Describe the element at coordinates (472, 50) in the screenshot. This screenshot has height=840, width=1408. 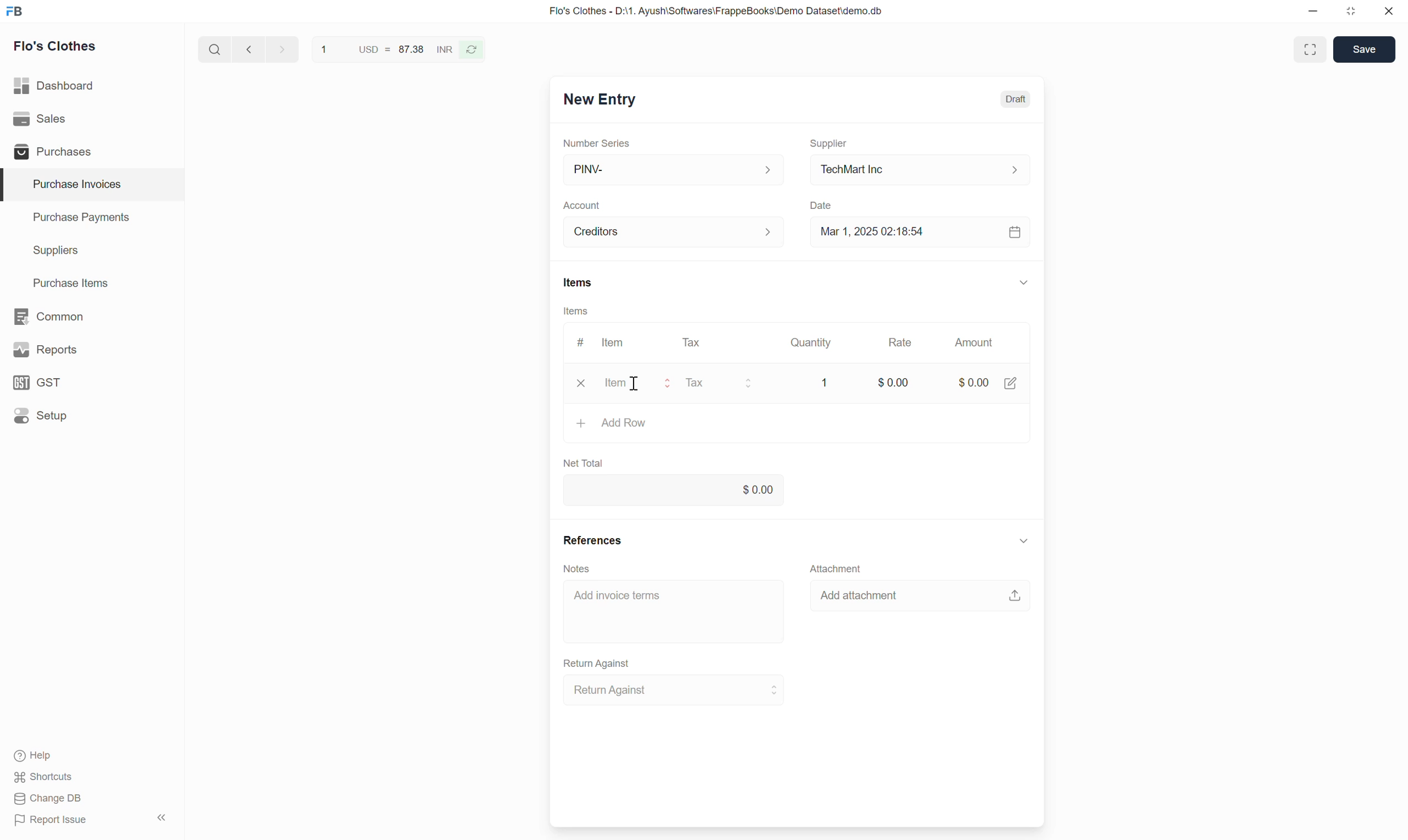
I see `Reverse` at that location.